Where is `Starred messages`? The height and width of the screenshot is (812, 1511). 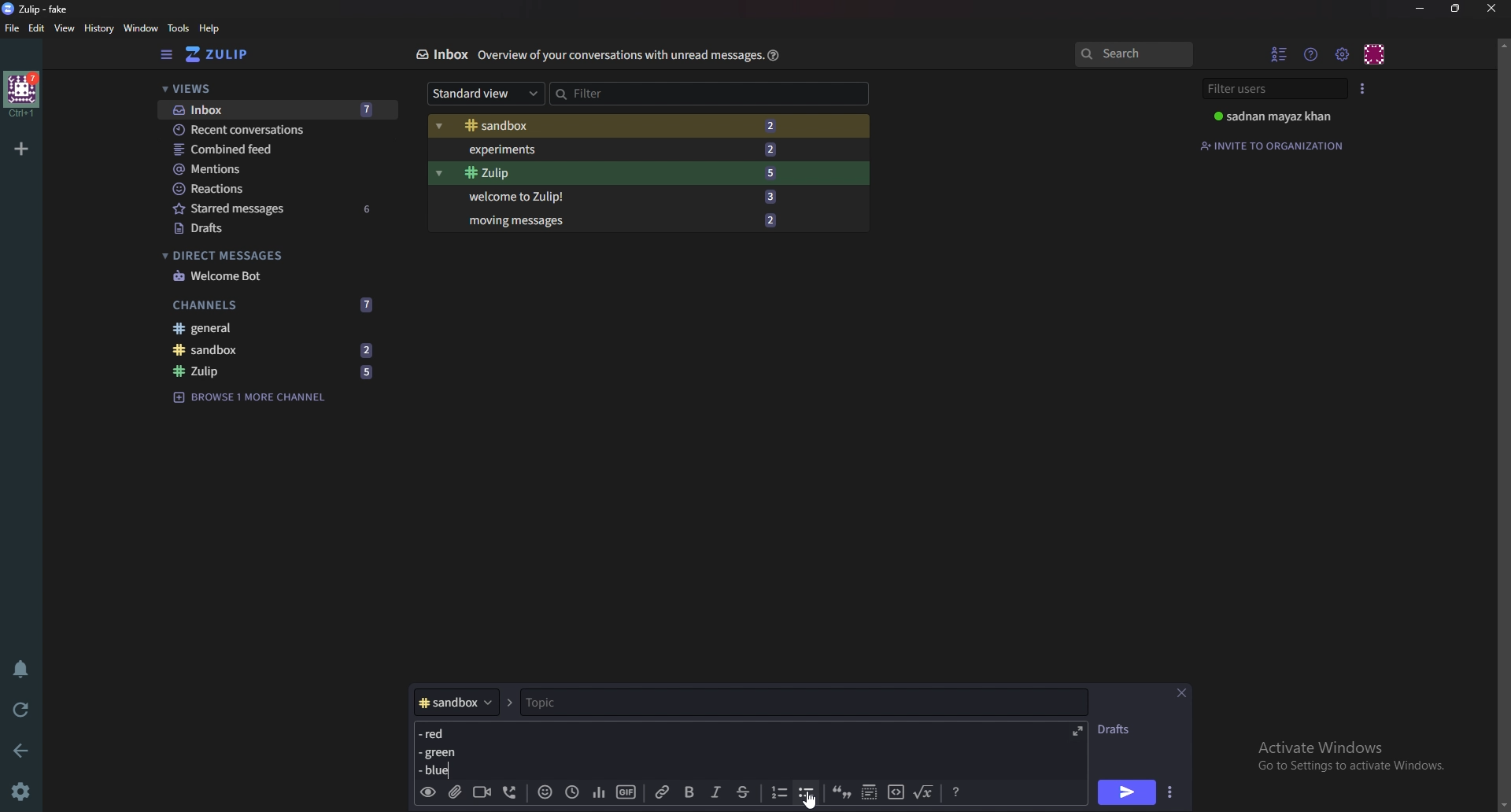
Starred messages is located at coordinates (278, 208).